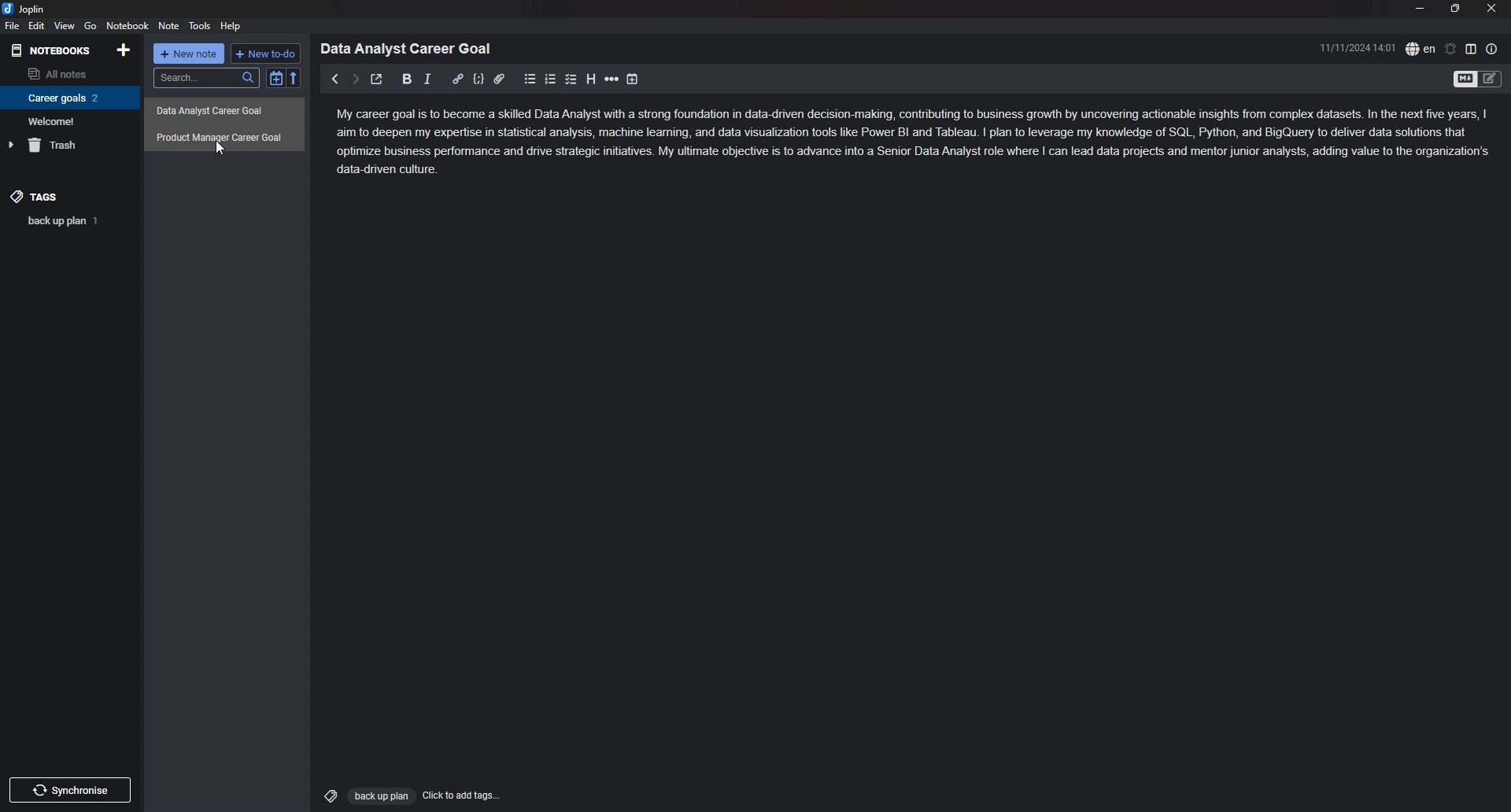 This screenshot has width=1511, height=812. I want to click on 11/11/2024 14:01, so click(1358, 47).